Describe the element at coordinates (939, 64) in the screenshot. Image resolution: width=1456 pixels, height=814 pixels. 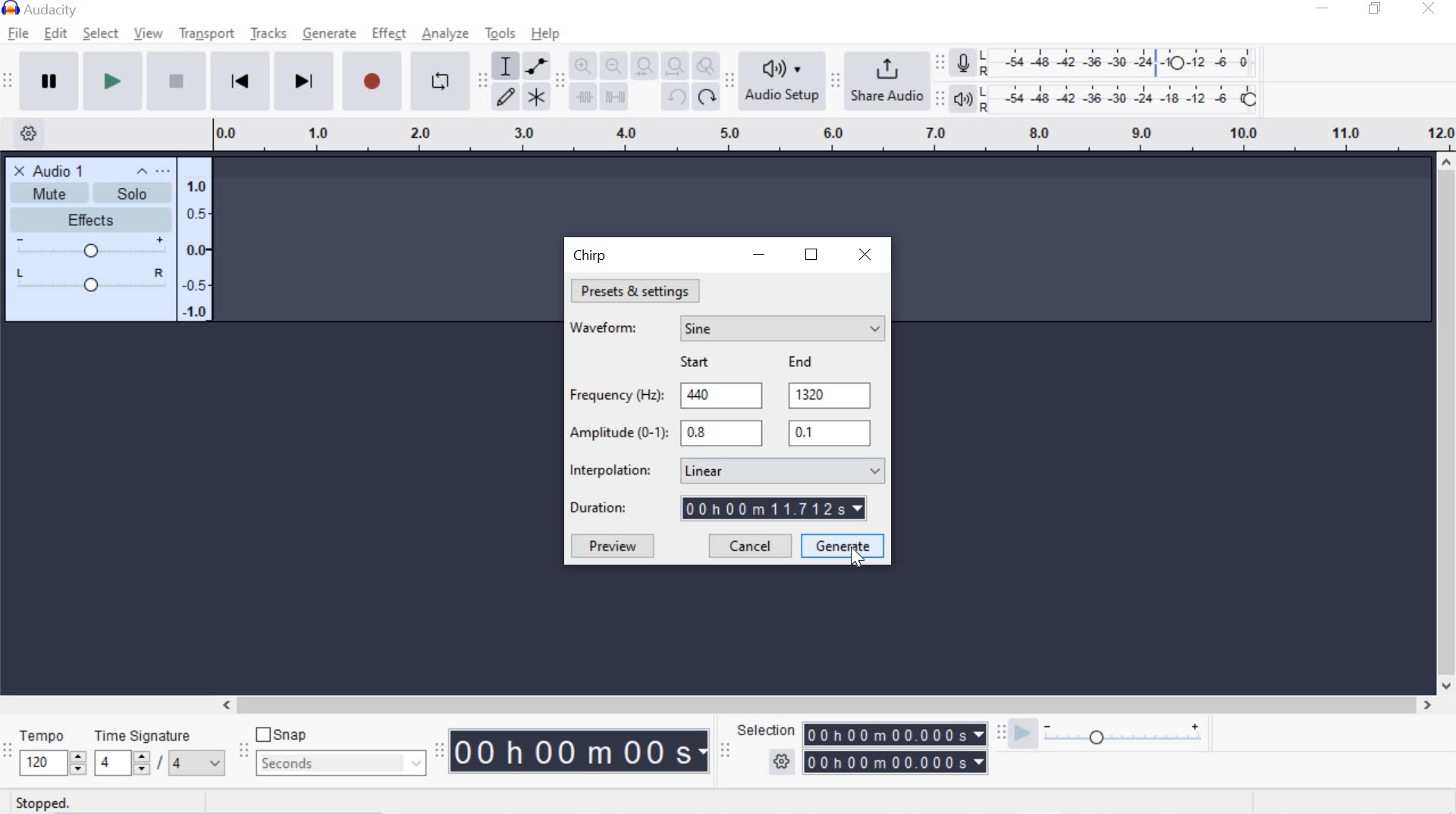
I see `Recording meter toolbar` at that location.